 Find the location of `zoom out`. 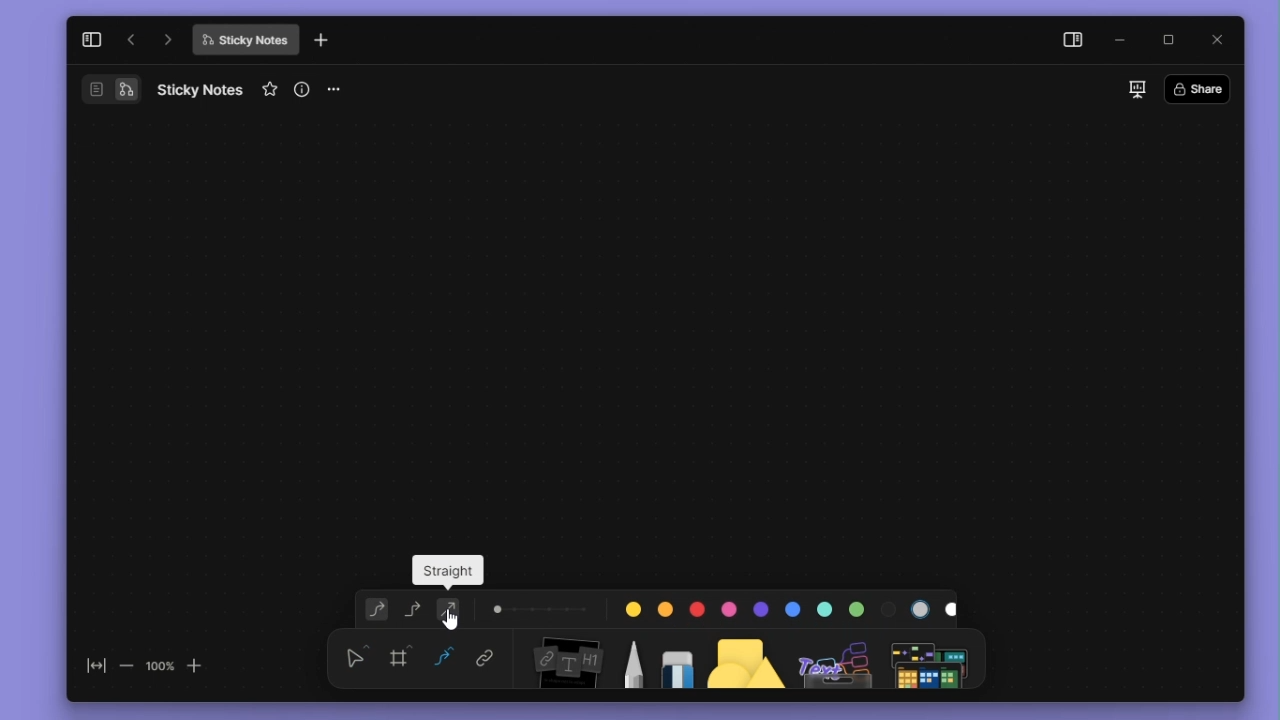

zoom out is located at coordinates (125, 665).